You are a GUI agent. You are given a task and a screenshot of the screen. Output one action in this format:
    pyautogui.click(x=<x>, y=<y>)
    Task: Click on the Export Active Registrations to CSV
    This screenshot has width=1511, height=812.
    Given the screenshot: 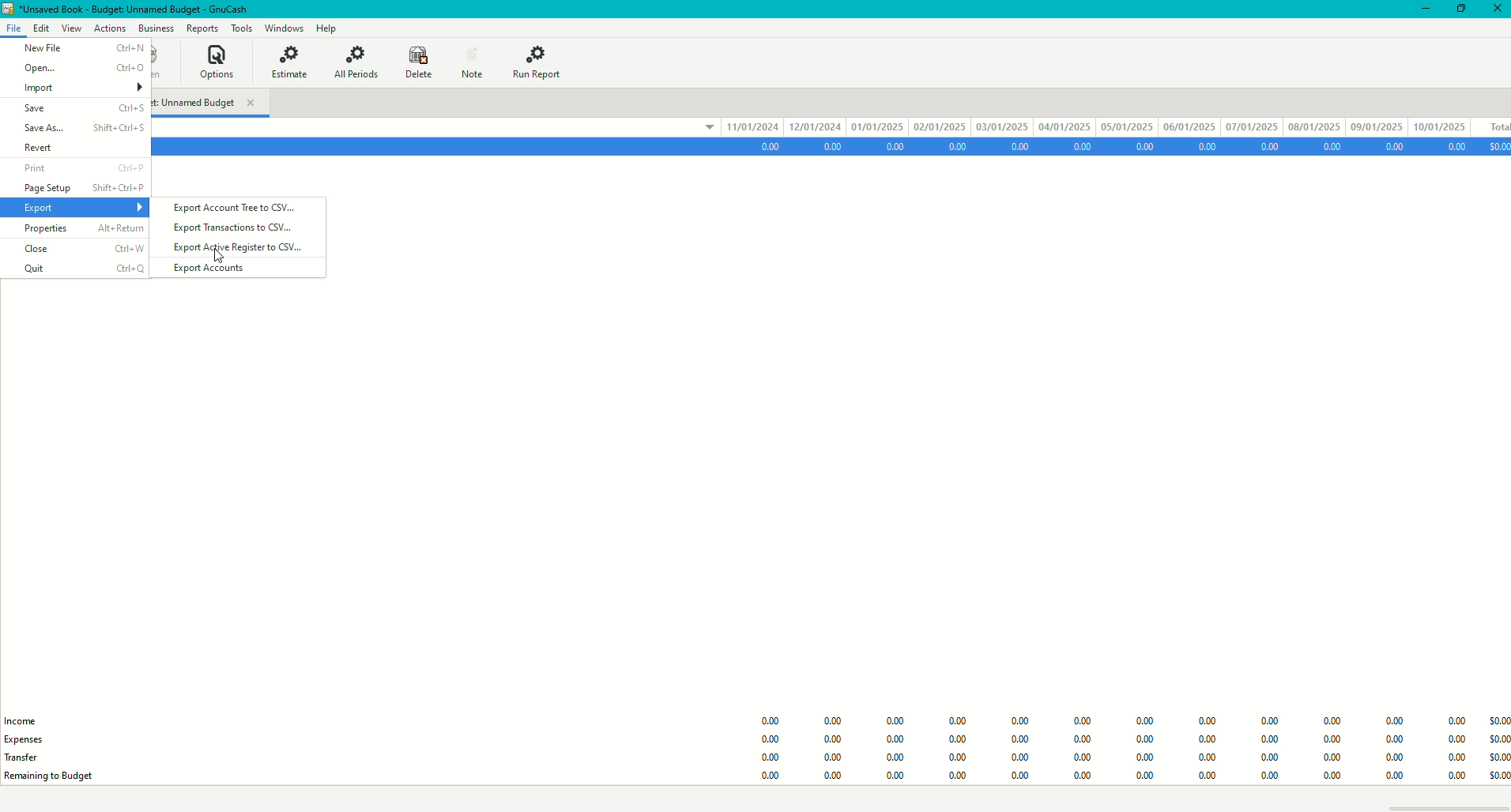 What is the action you would take?
    pyautogui.click(x=240, y=248)
    